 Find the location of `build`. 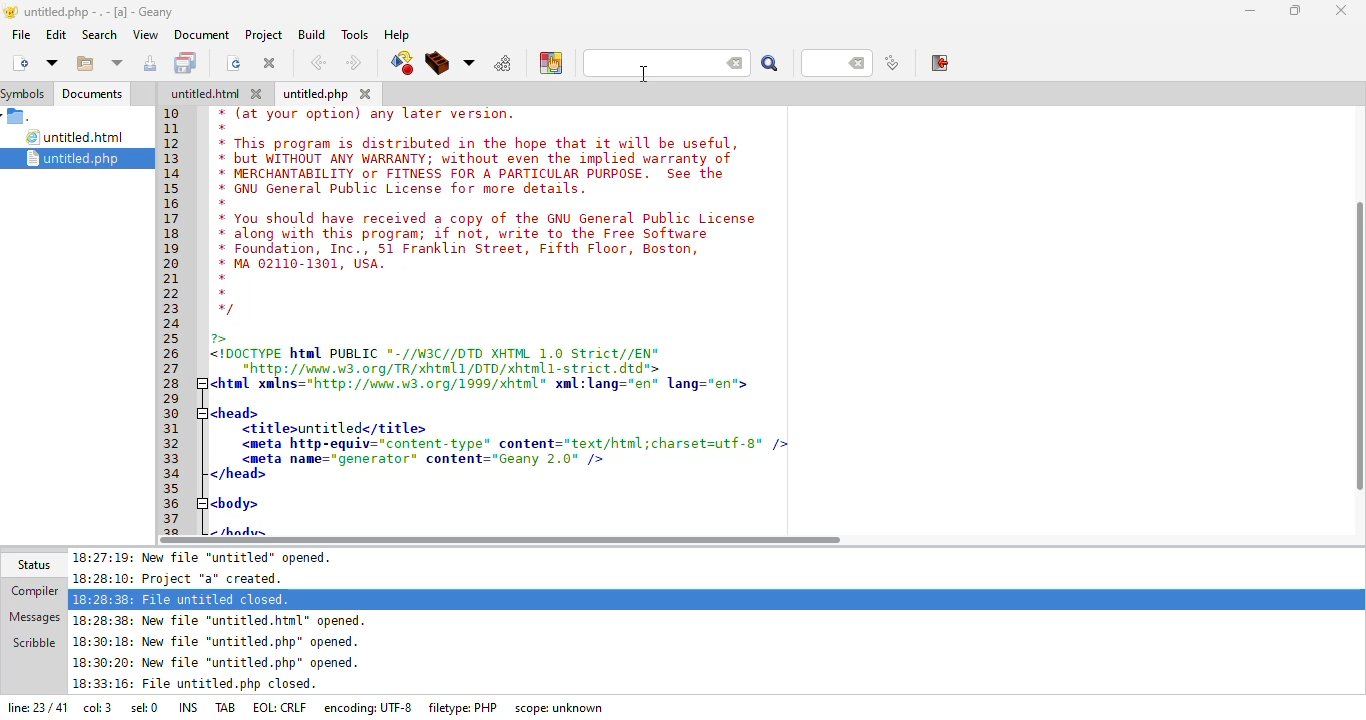

build is located at coordinates (438, 64).